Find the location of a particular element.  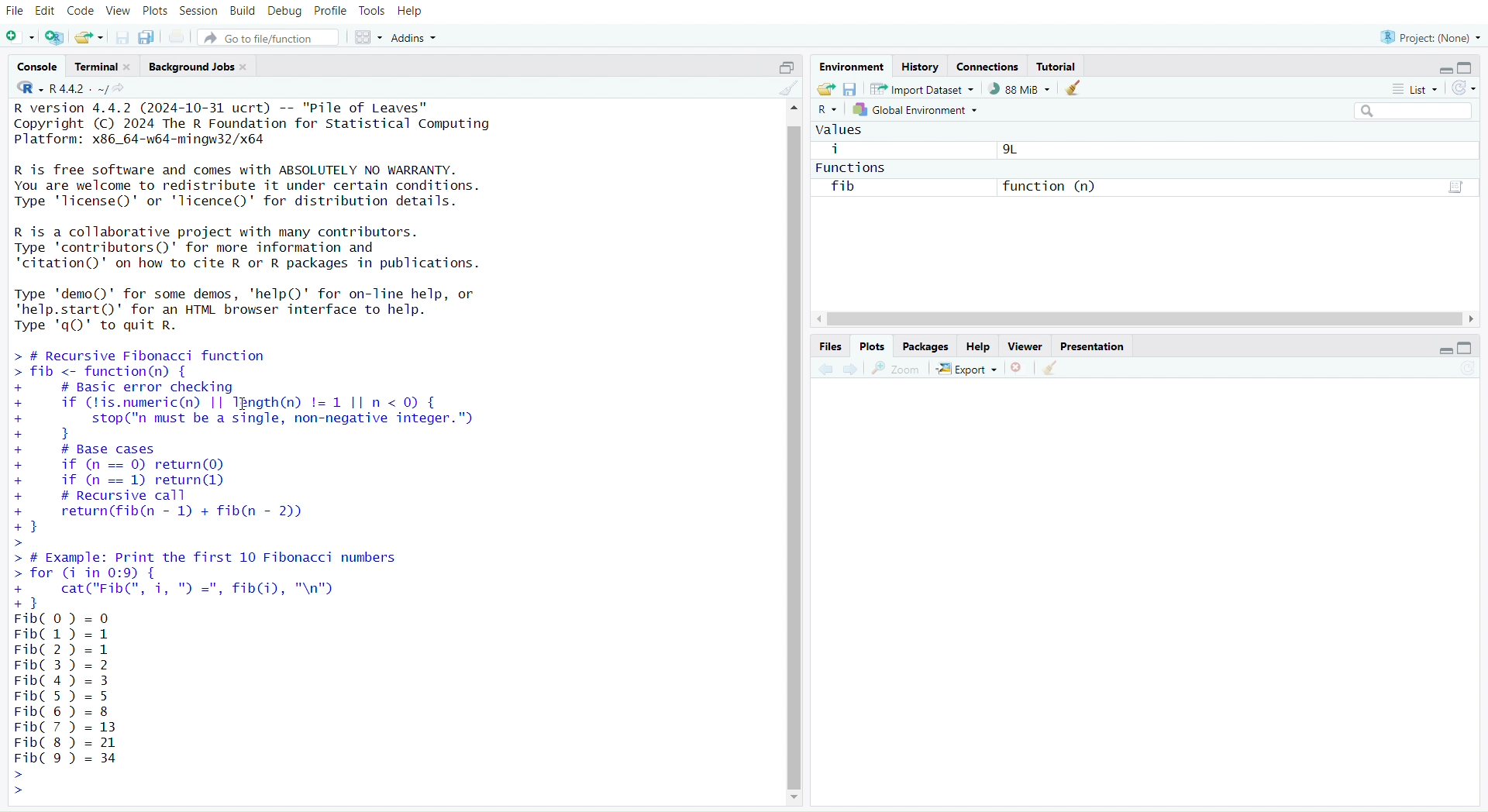

expand is located at coordinates (1444, 71).